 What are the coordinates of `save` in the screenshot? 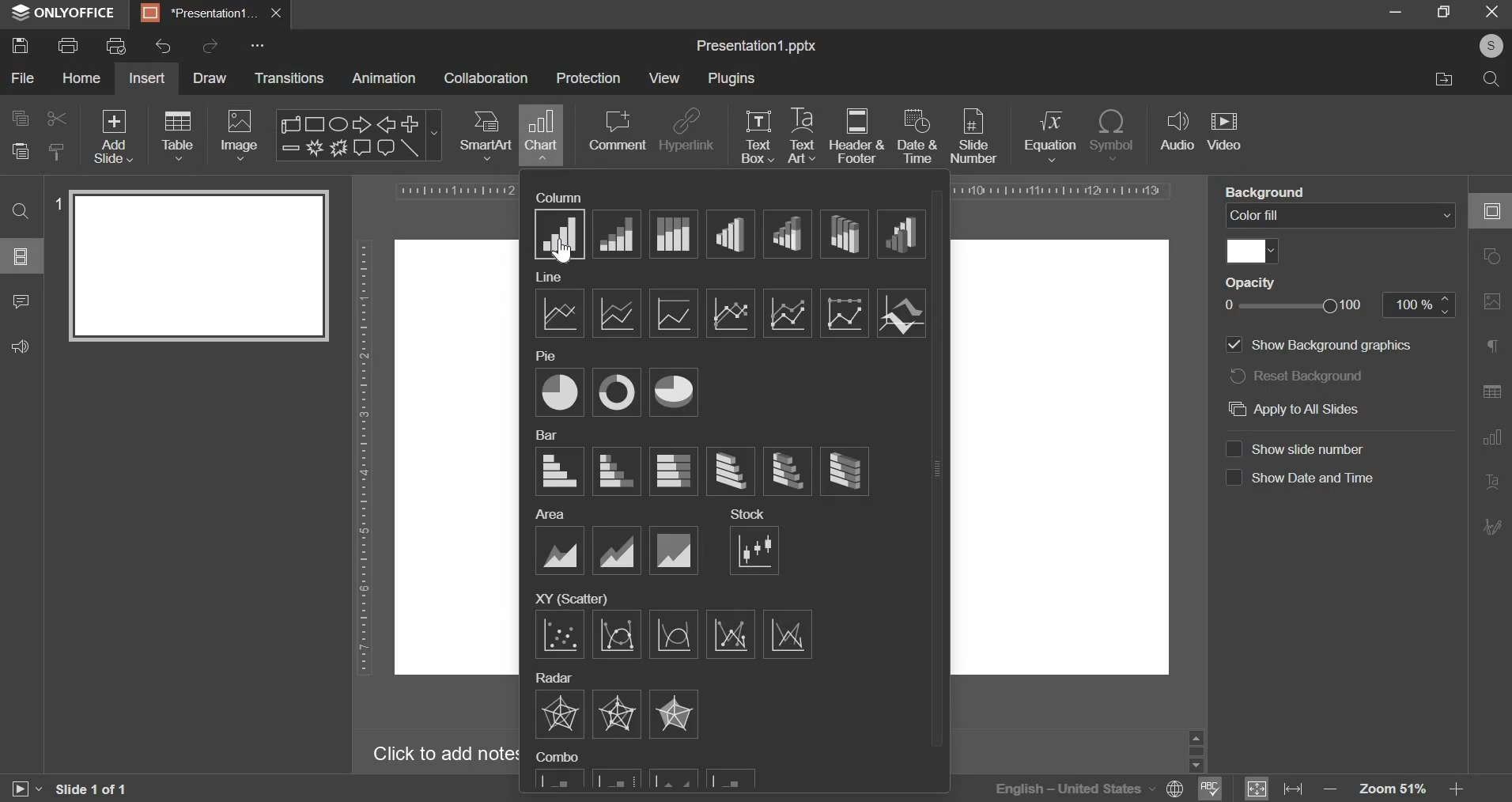 It's located at (20, 46).